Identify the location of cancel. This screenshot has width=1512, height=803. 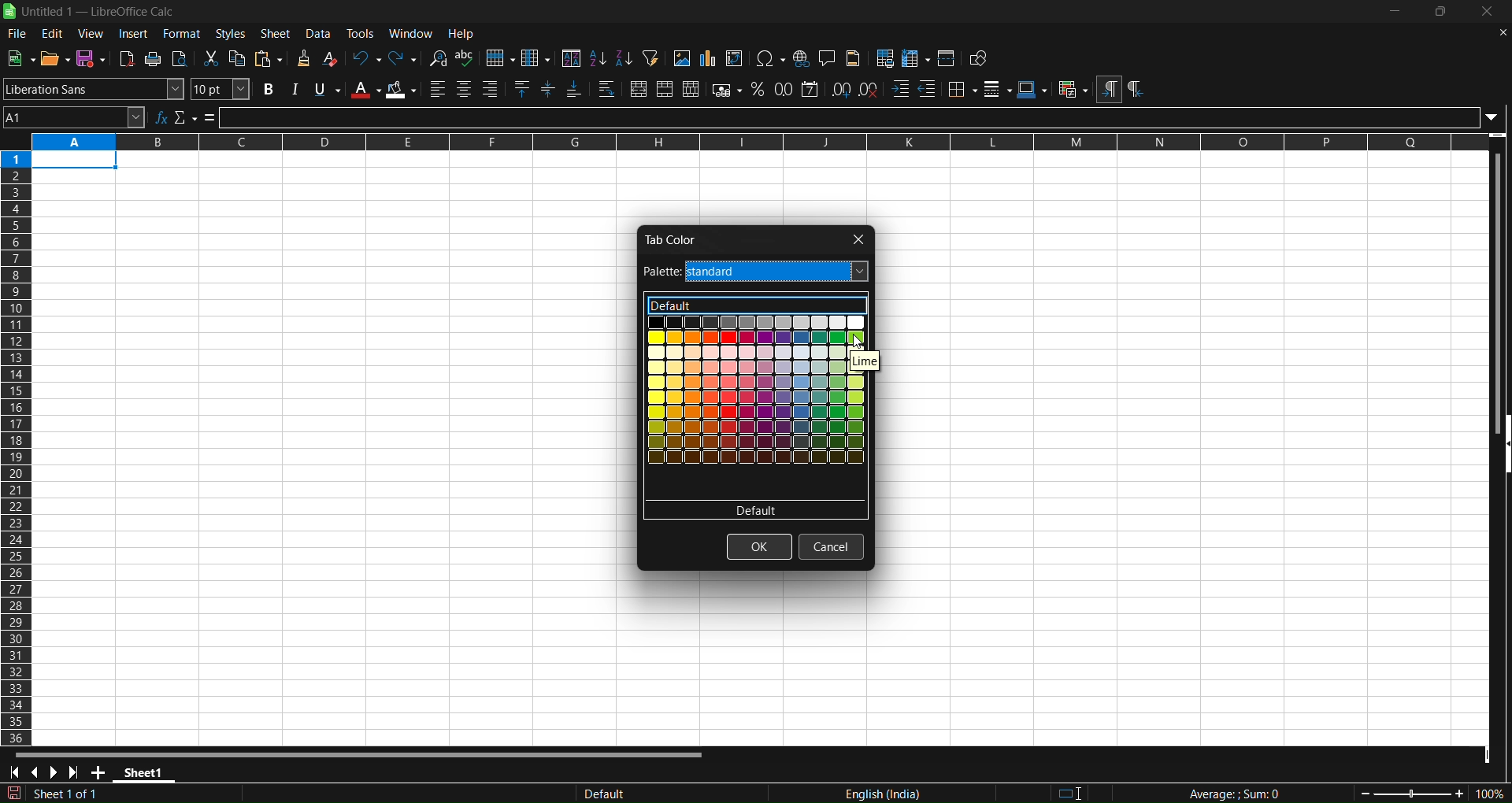
(830, 546).